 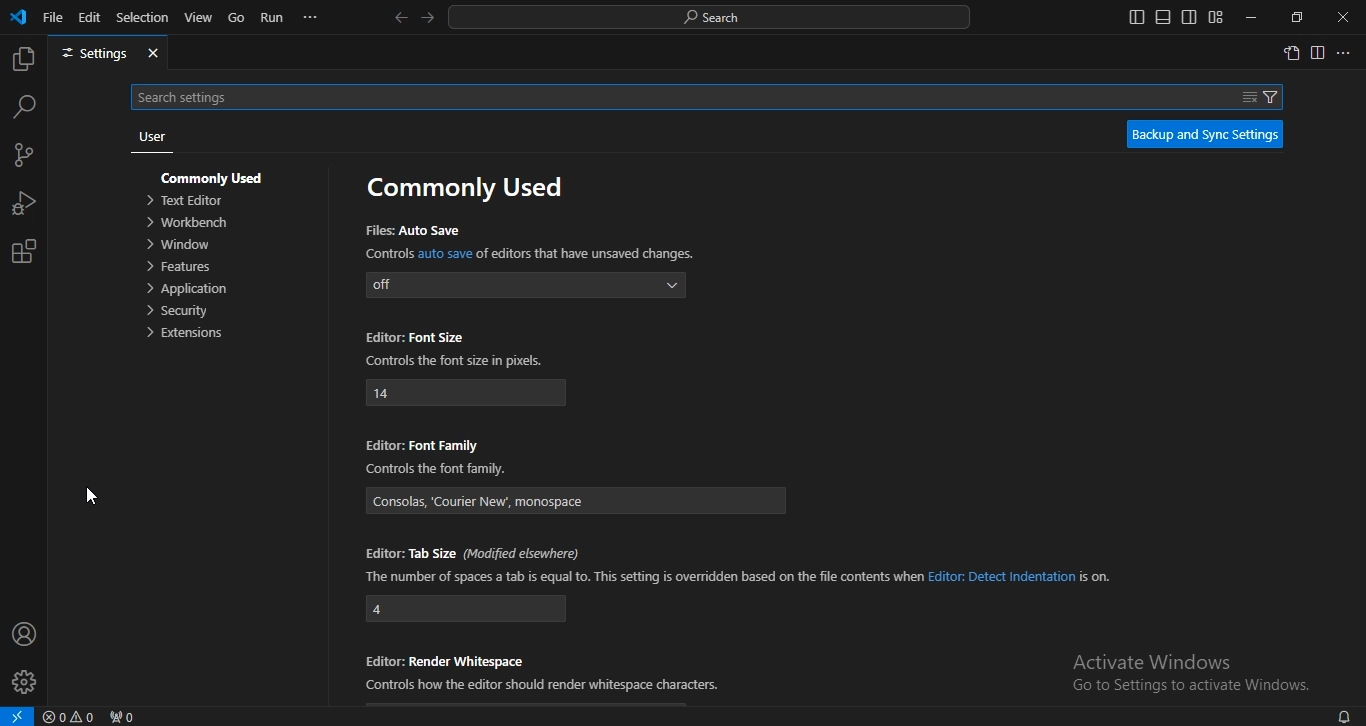 What do you see at coordinates (1291, 52) in the screenshot?
I see `open settings` at bounding box center [1291, 52].